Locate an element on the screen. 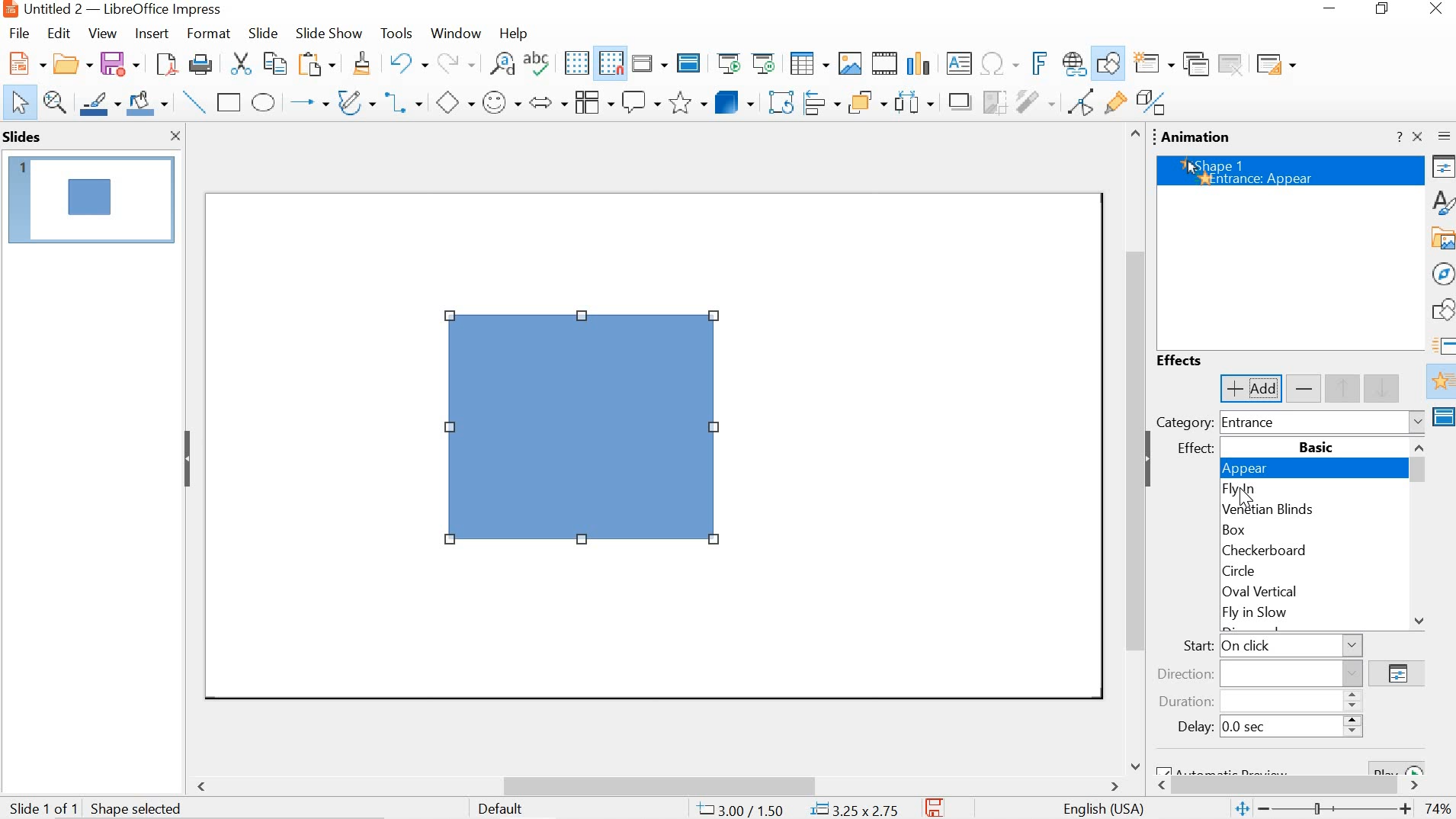 The image size is (1456, 819). symbol shapes is located at coordinates (502, 104).